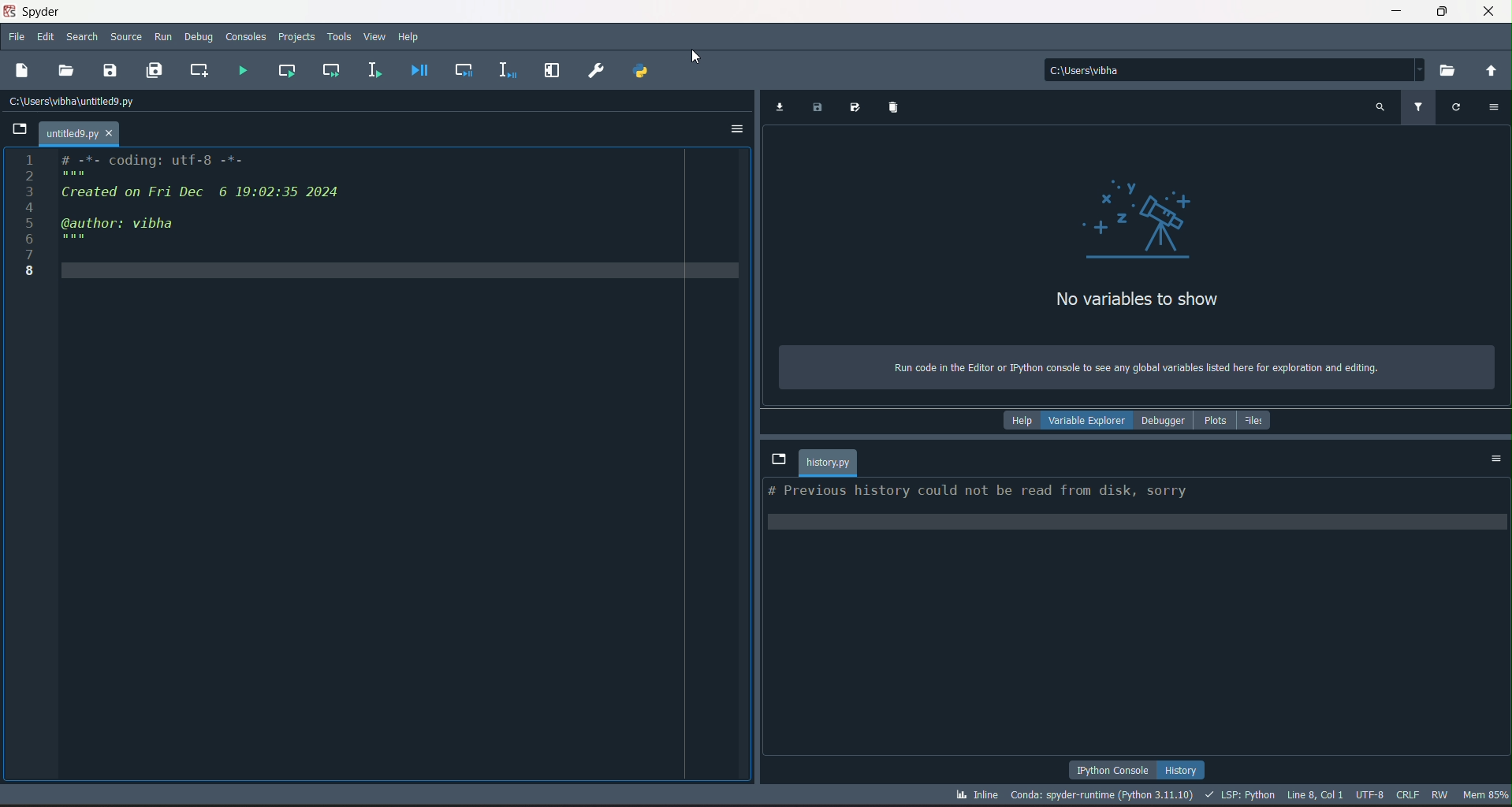  I want to click on save data, so click(818, 109).